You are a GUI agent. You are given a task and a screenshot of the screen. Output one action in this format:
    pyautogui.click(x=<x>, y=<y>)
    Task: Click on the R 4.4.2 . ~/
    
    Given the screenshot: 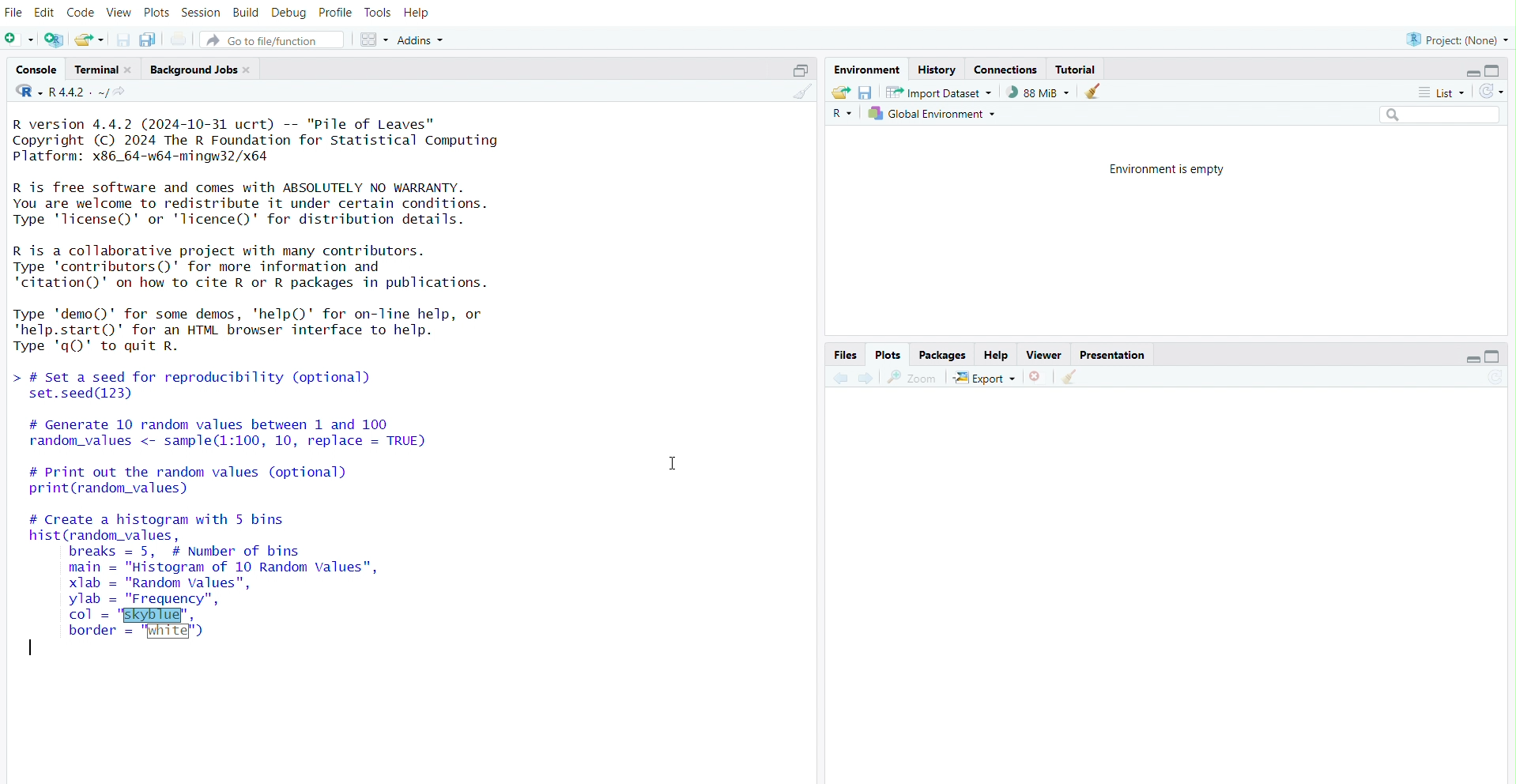 What is the action you would take?
    pyautogui.click(x=81, y=92)
    